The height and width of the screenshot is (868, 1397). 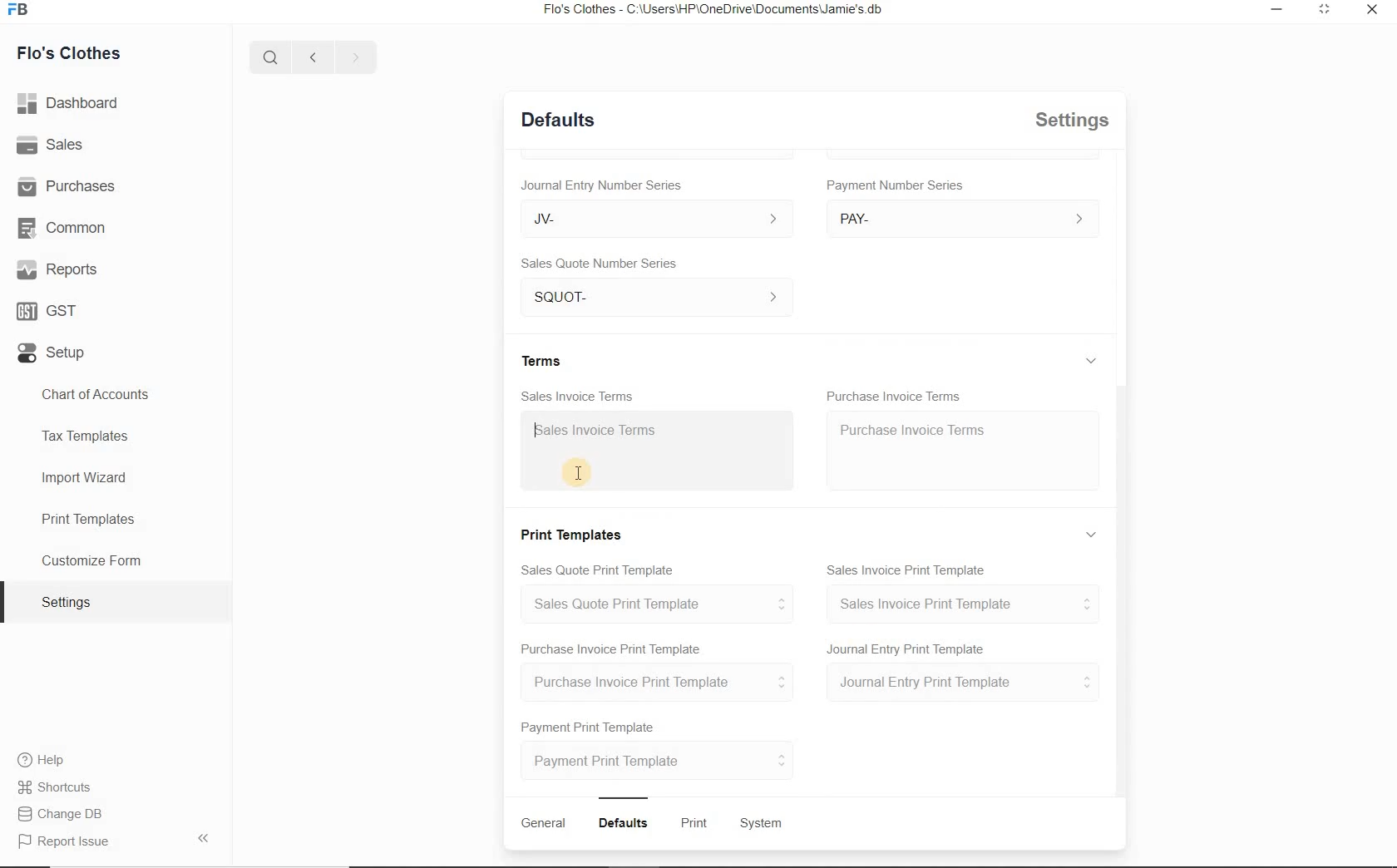 What do you see at coordinates (1277, 9) in the screenshot?
I see `Minimize` at bounding box center [1277, 9].